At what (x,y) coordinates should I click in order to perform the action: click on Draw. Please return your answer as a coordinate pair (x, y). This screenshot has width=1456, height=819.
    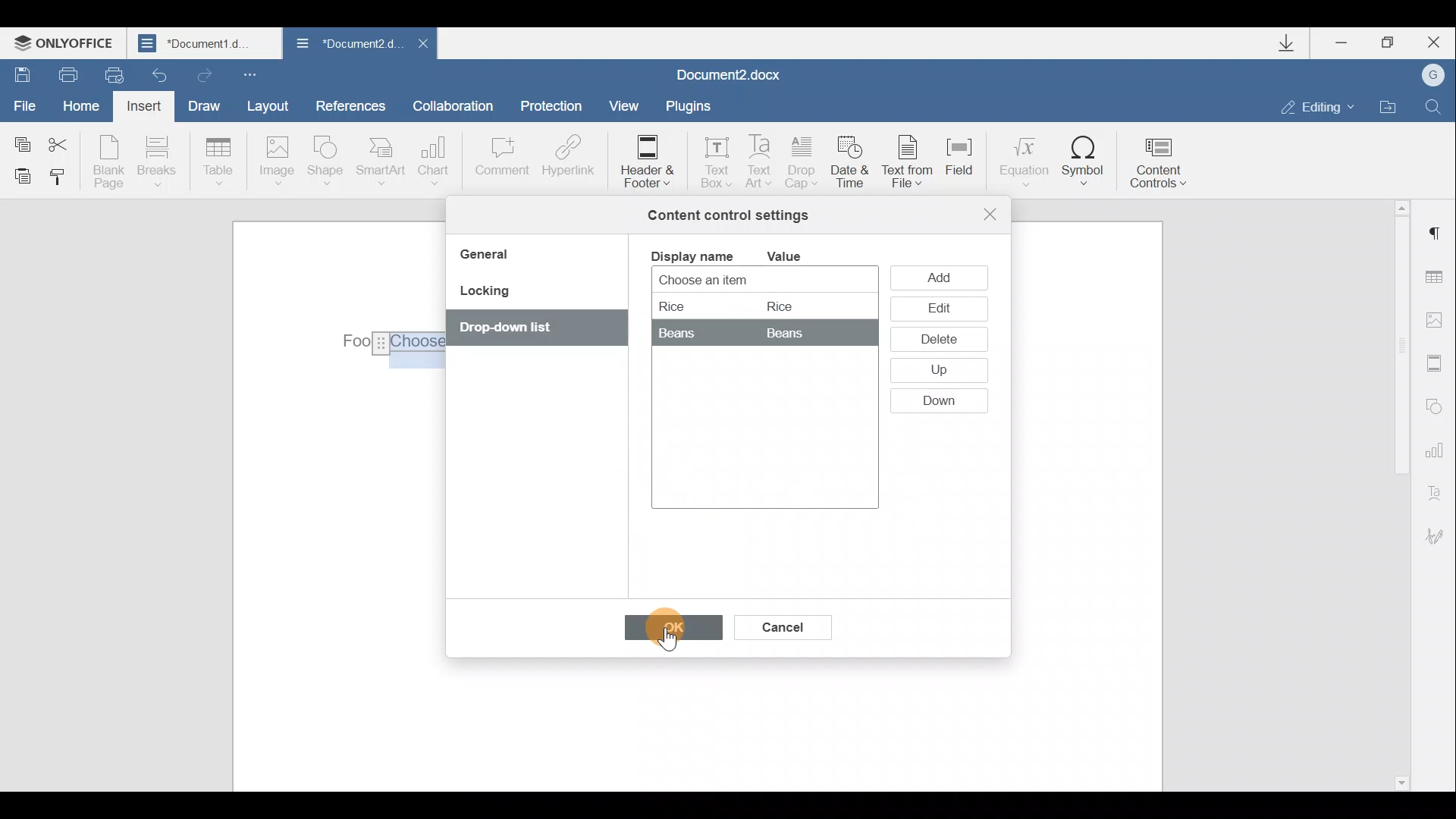
    Looking at the image, I should click on (202, 104).